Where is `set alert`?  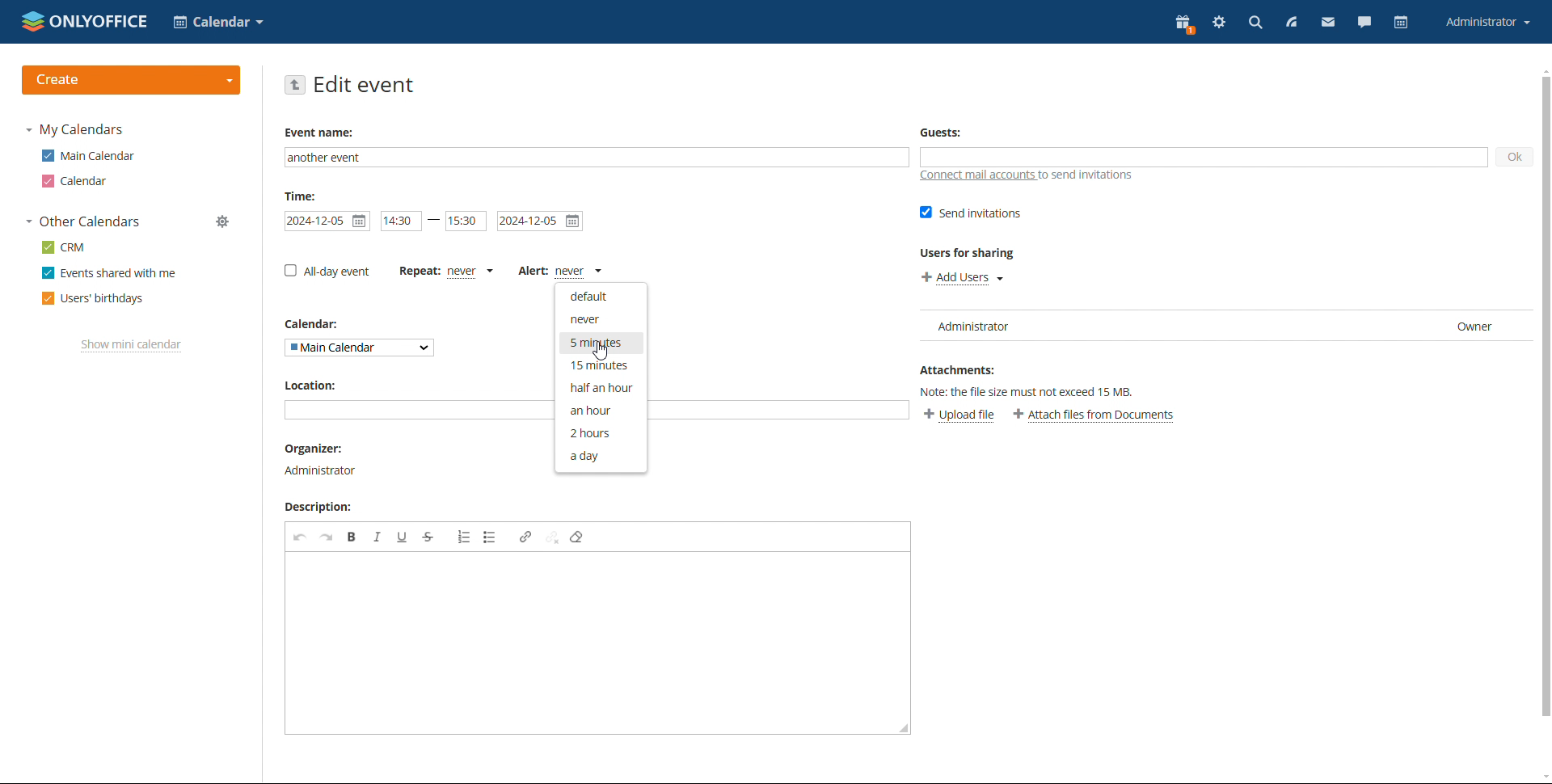 set alert is located at coordinates (560, 272).